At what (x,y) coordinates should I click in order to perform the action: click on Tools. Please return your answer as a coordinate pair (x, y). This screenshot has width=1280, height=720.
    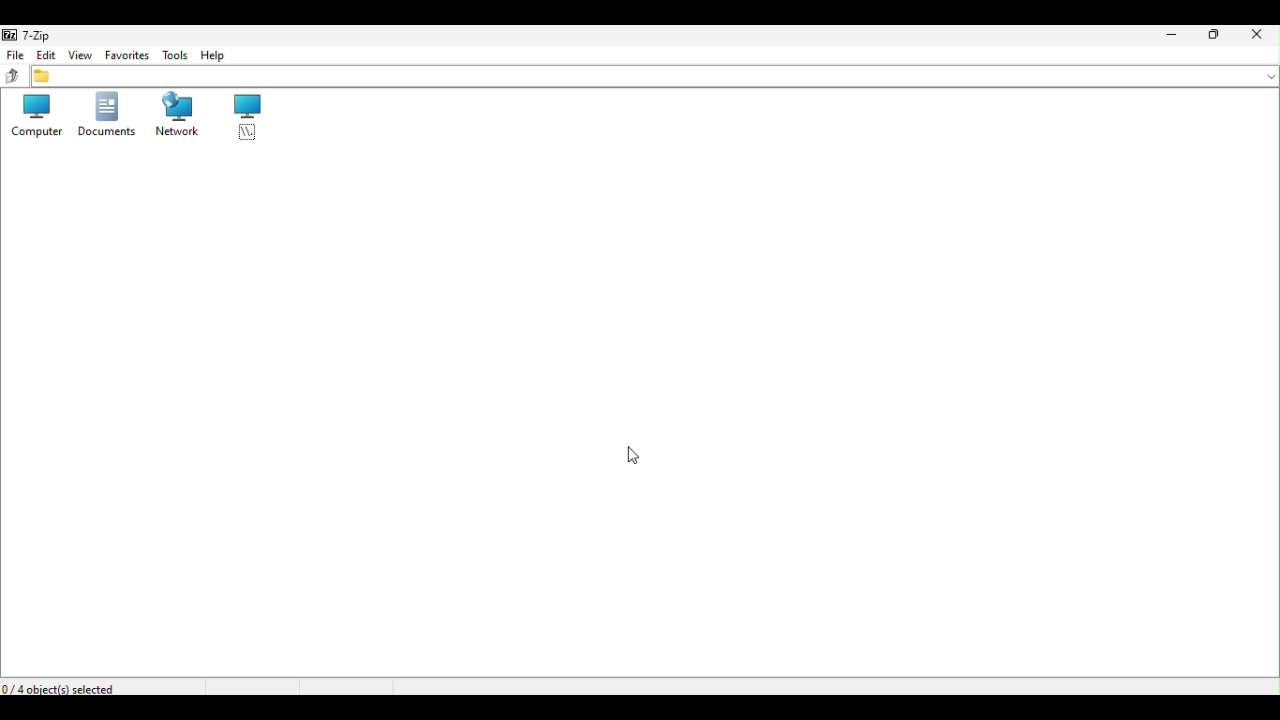
    Looking at the image, I should click on (173, 55).